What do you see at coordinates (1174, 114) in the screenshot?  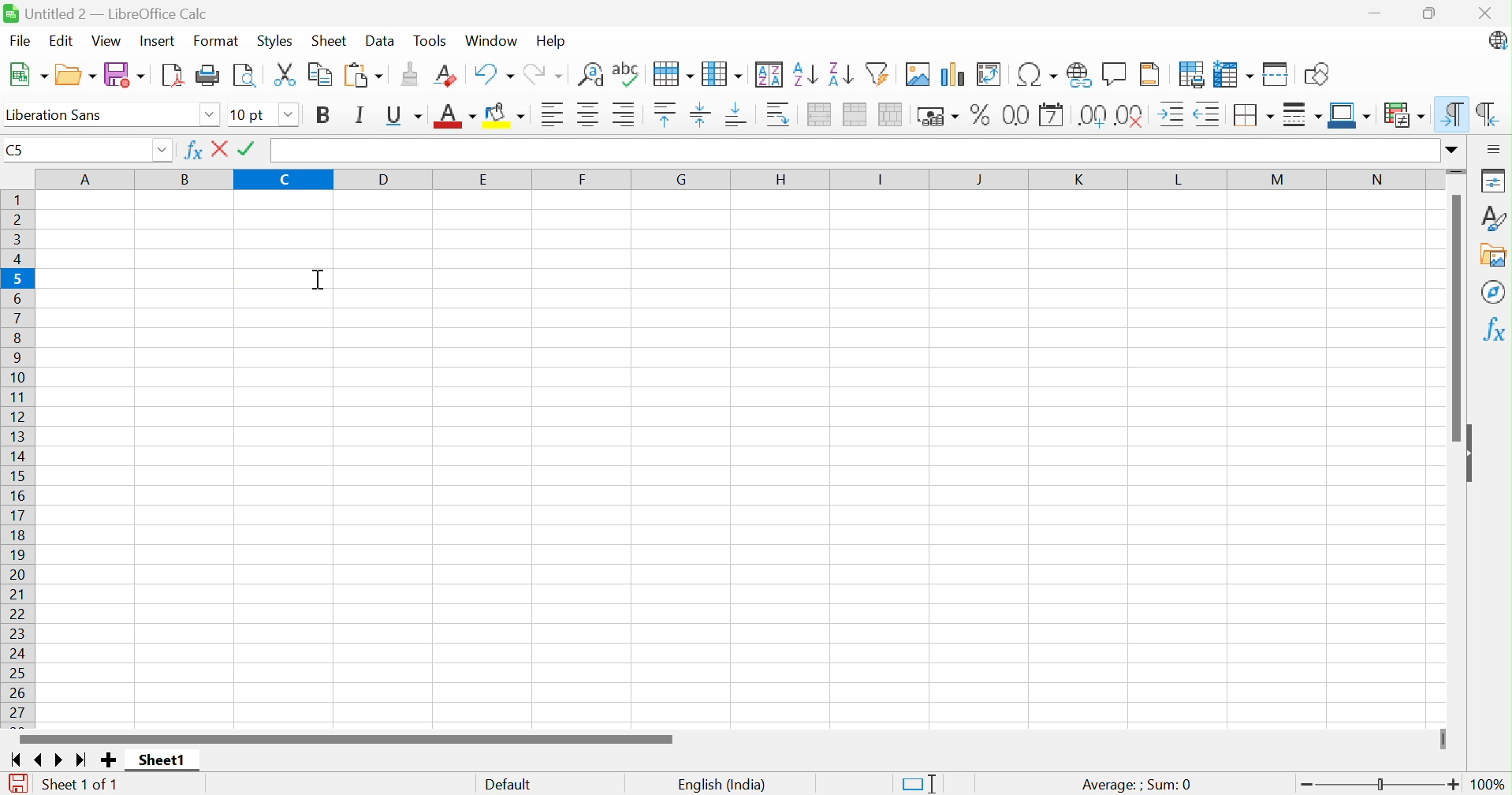 I see `Increase indent` at bounding box center [1174, 114].